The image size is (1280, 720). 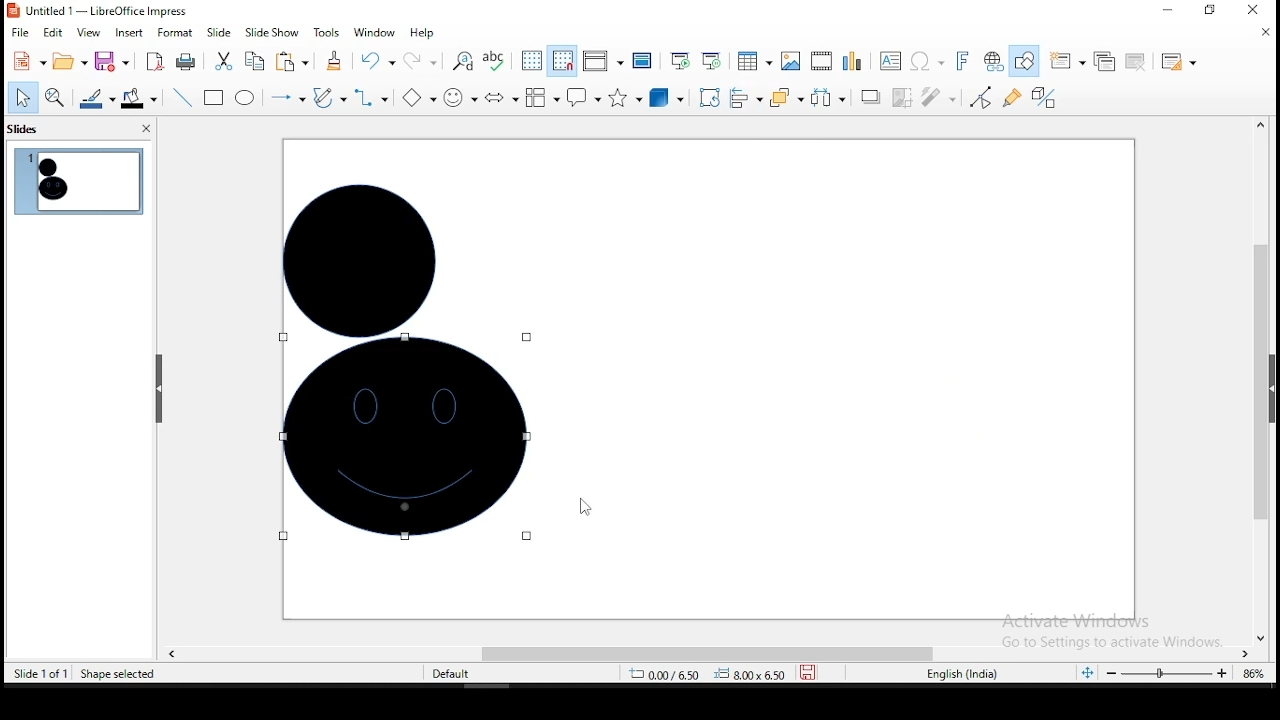 What do you see at coordinates (121, 675) in the screenshot?
I see `shape selected` at bounding box center [121, 675].